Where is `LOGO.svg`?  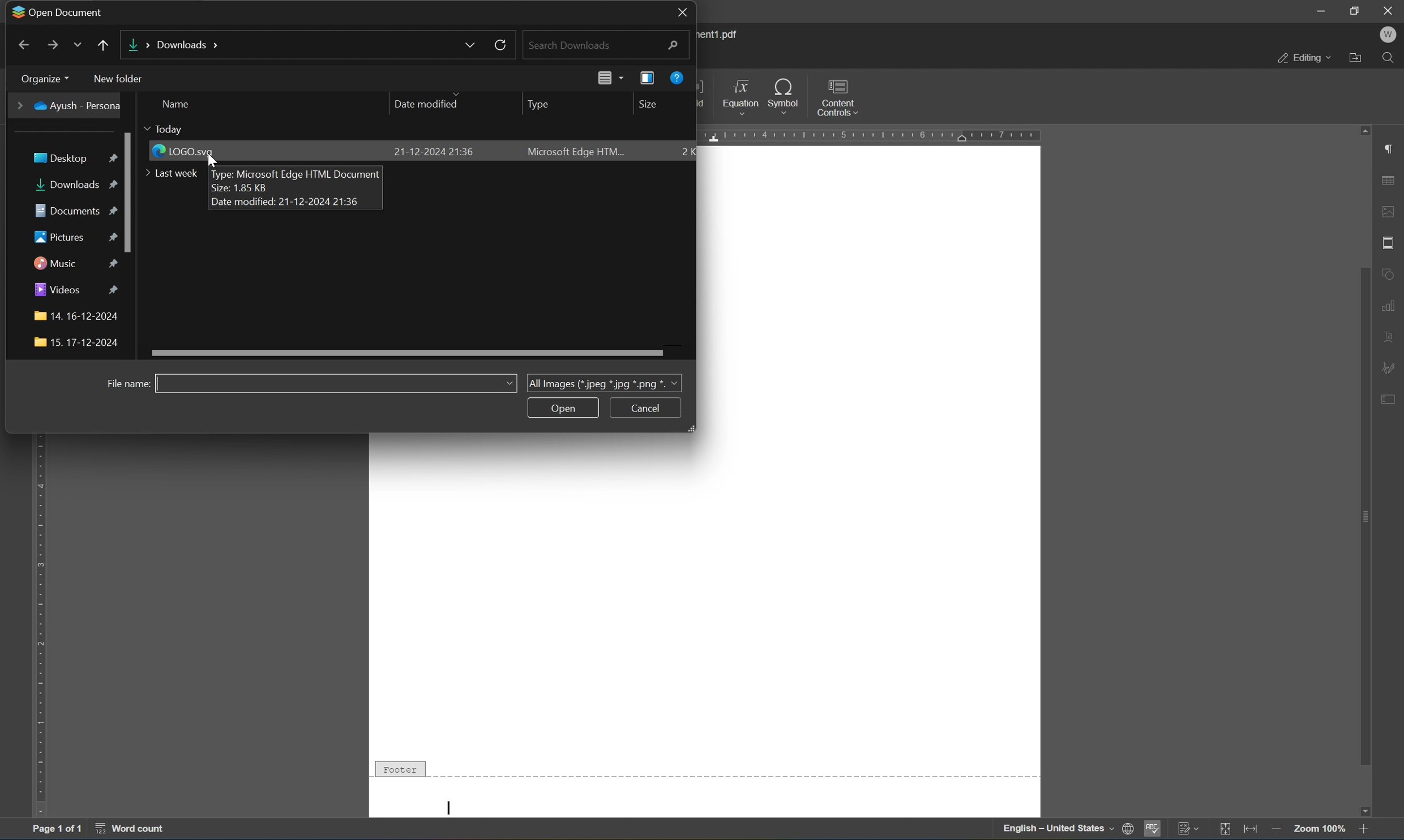 LOGO.svg is located at coordinates (191, 151).